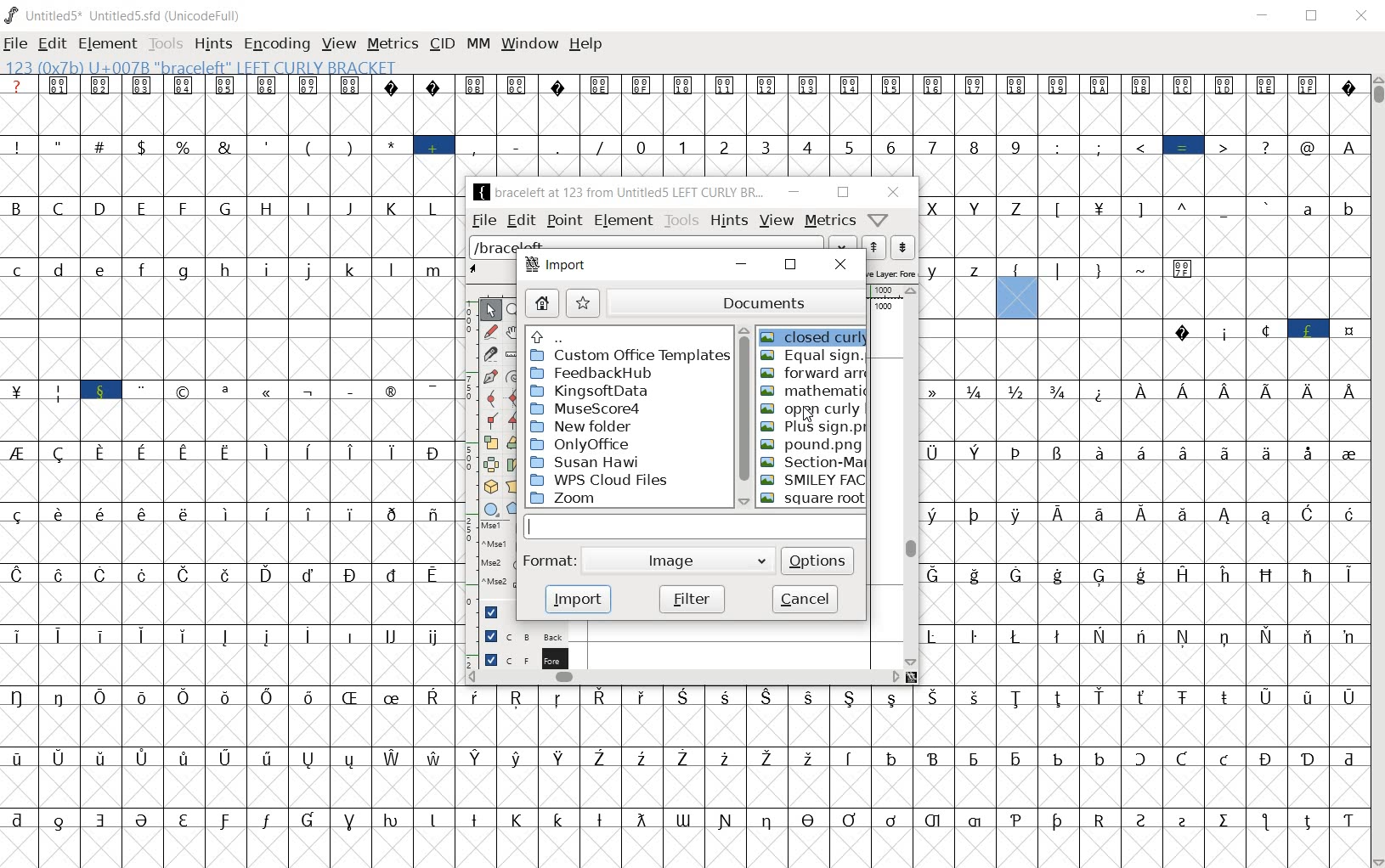  Describe the element at coordinates (490, 488) in the screenshot. I see `rotate the selection in 3D and project back to plane` at that location.